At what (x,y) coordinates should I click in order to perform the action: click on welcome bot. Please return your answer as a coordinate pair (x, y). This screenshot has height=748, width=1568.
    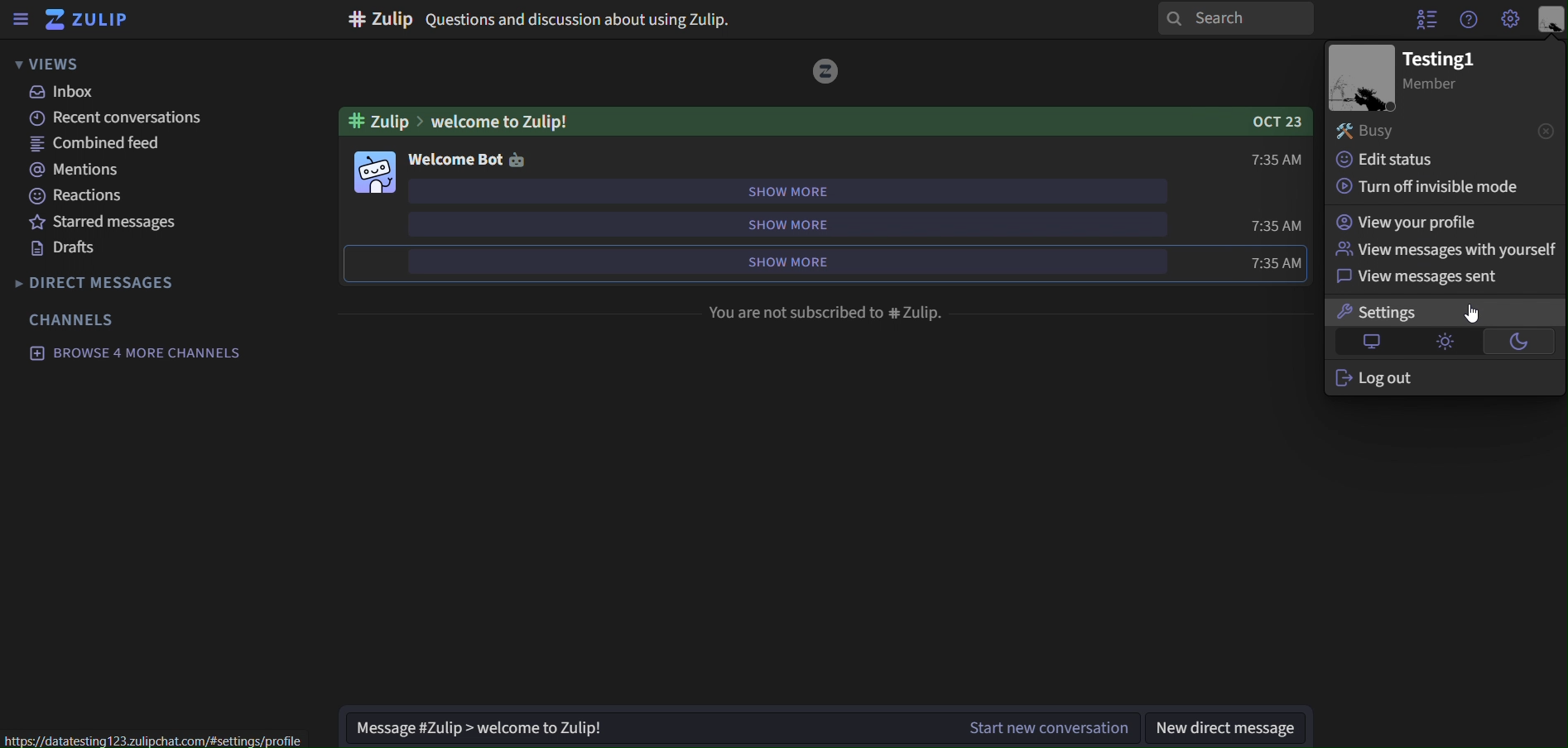
    Looking at the image, I should click on (471, 159).